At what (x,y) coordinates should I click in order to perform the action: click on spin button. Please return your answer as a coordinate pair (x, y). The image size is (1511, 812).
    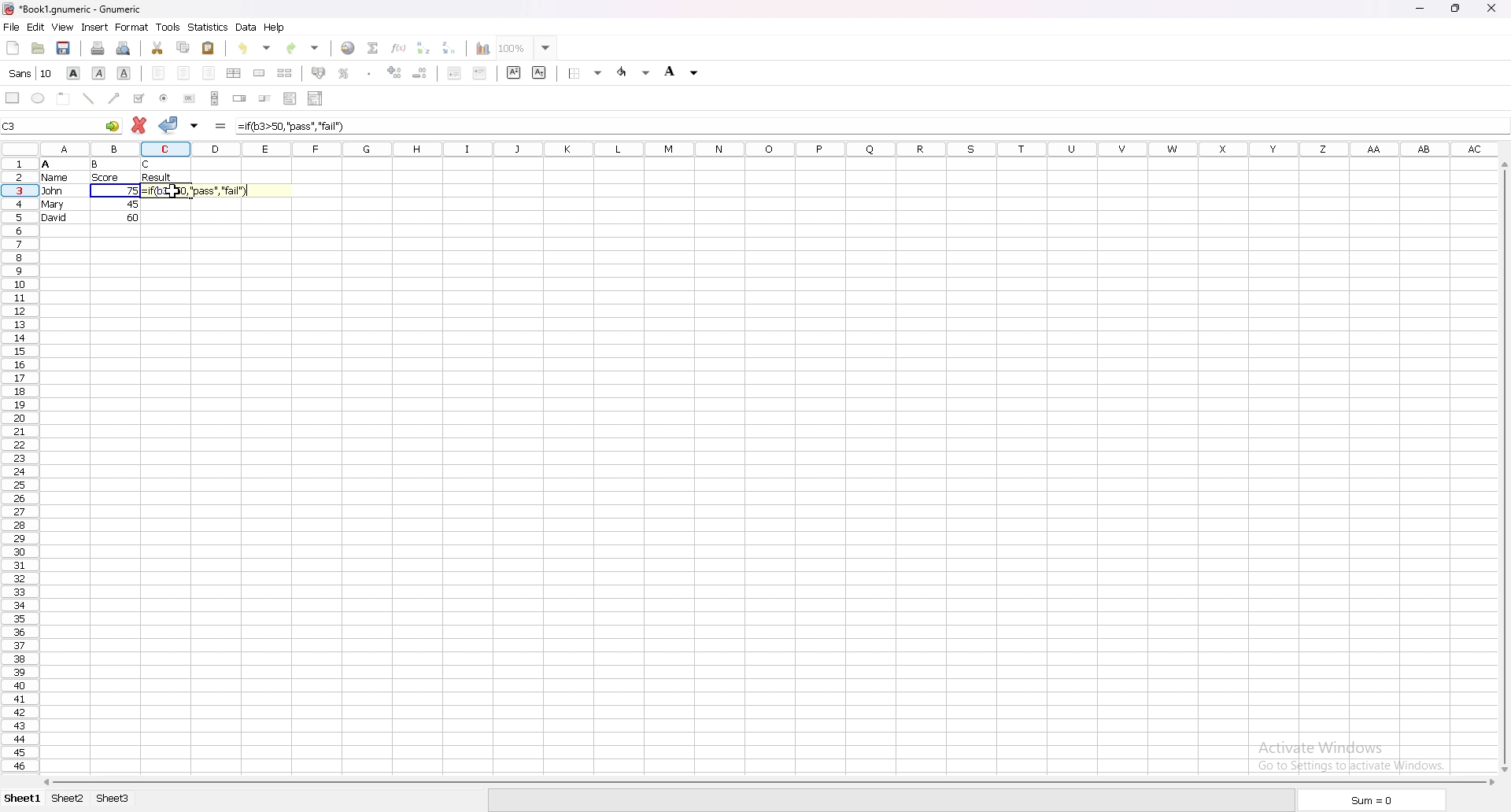
    Looking at the image, I should click on (241, 98).